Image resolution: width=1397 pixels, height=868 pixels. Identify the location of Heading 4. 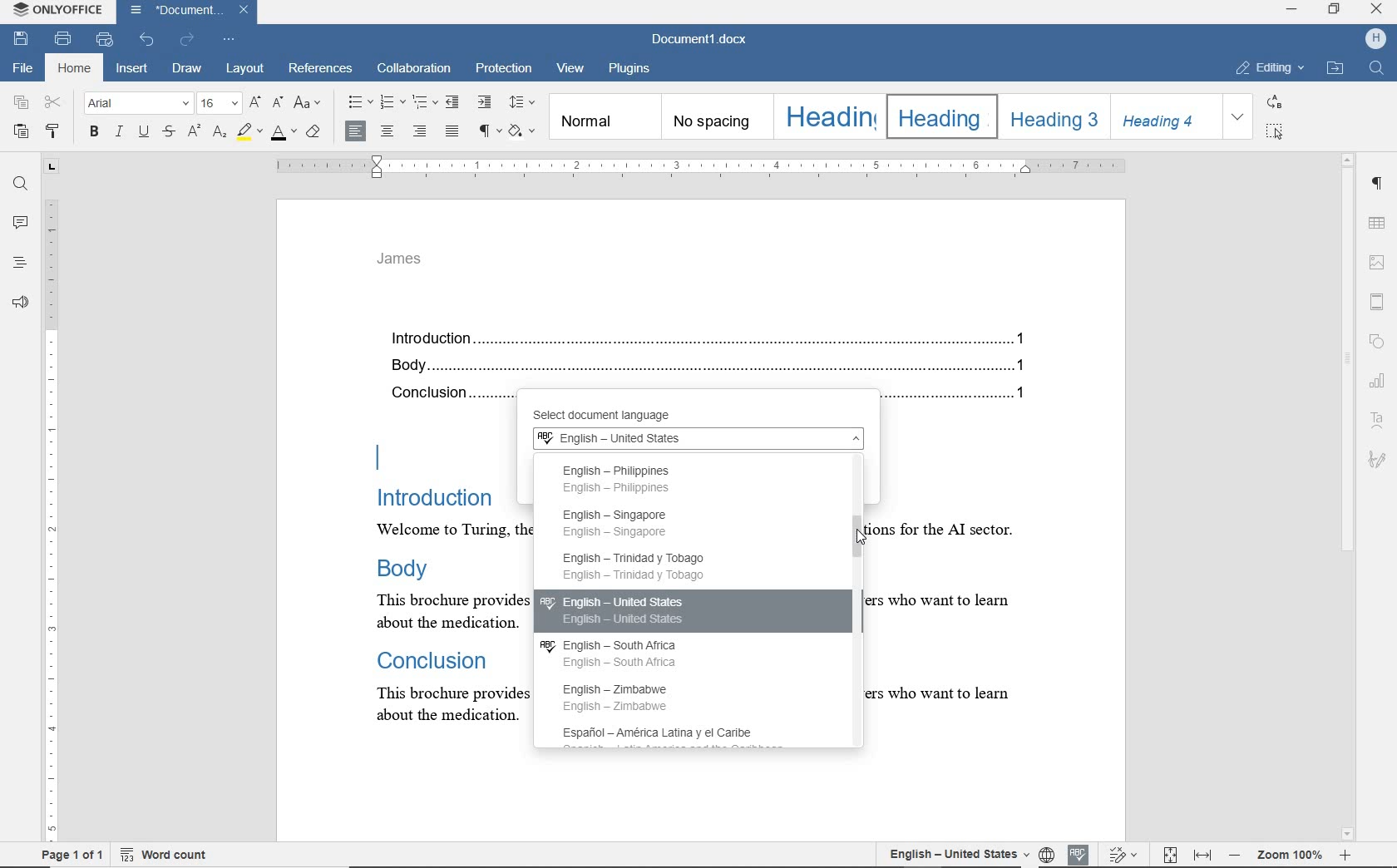
(1165, 116).